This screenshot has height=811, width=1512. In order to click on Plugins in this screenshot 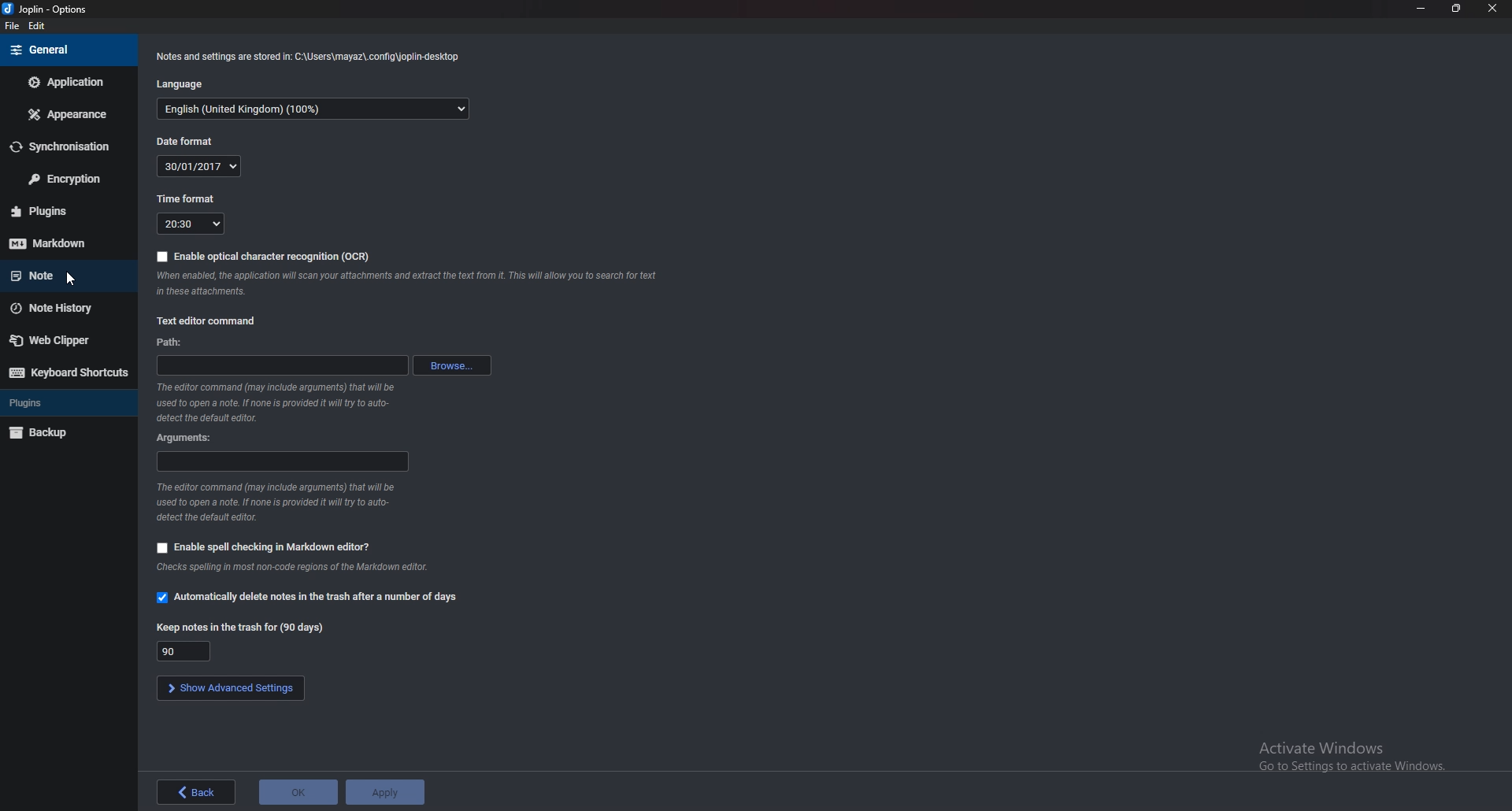, I will do `click(57, 402)`.